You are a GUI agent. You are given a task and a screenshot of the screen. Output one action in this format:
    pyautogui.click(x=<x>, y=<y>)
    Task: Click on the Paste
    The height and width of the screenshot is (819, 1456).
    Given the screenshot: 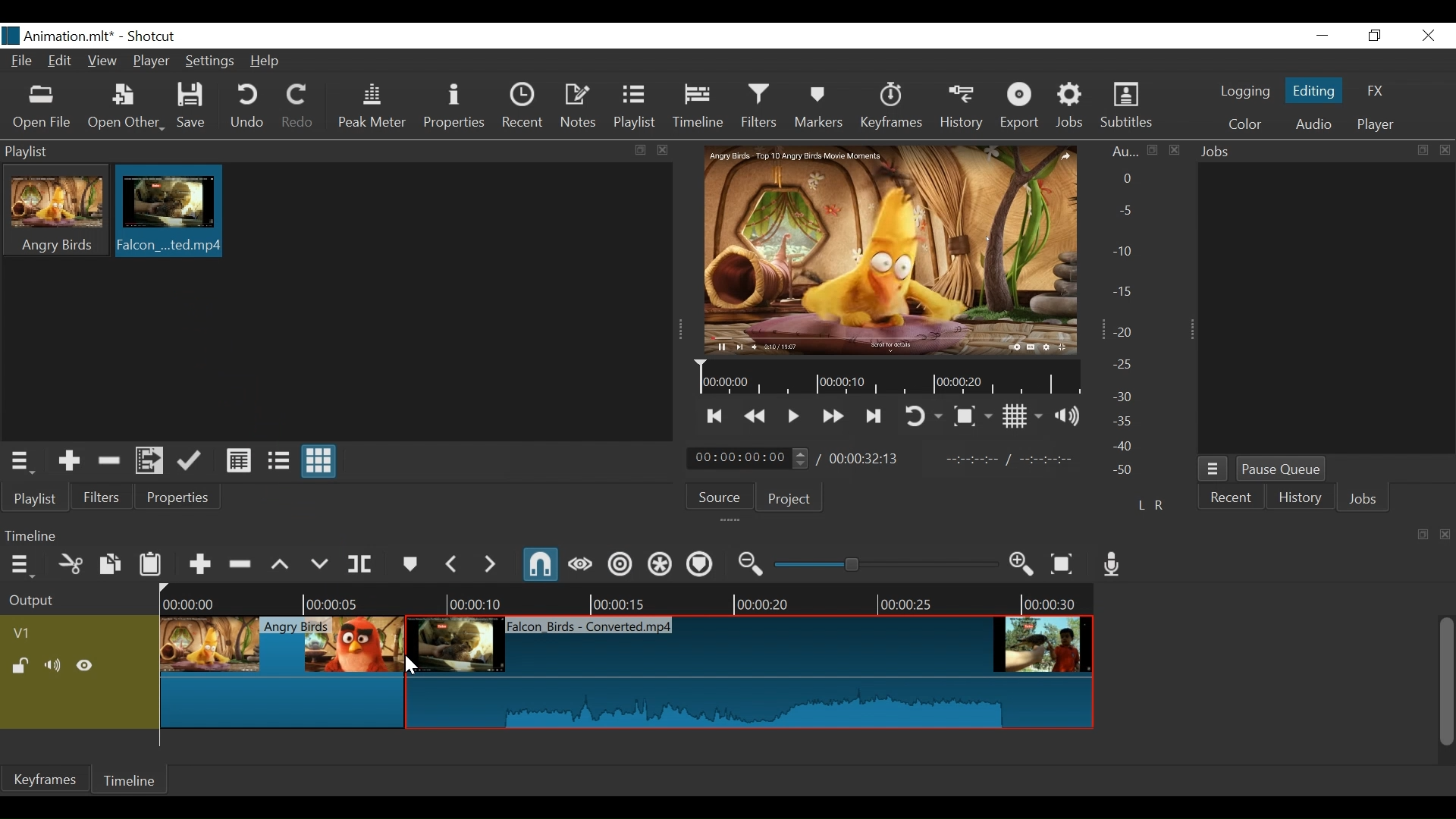 What is the action you would take?
    pyautogui.click(x=151, y=562)
    